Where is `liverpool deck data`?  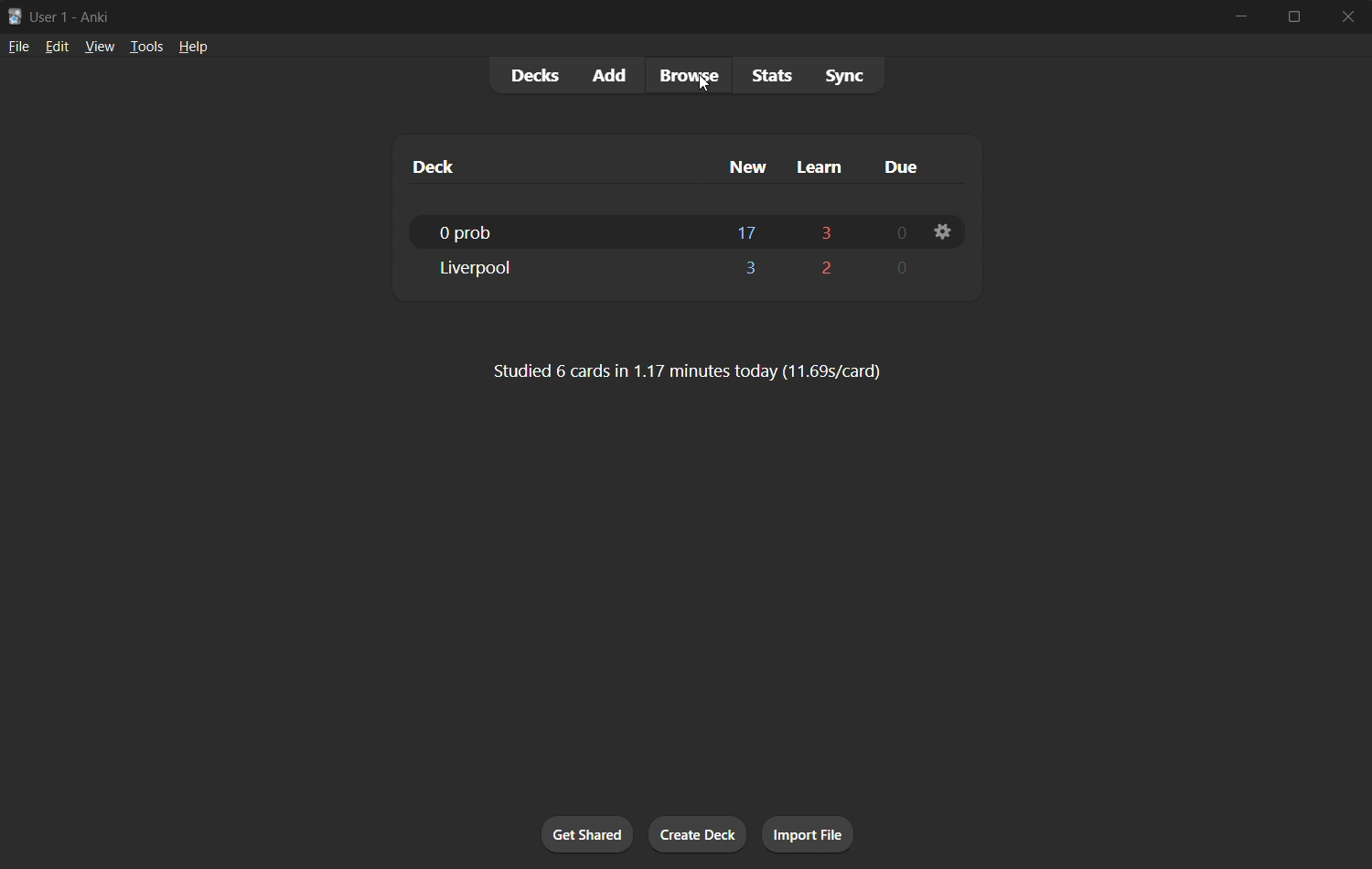
liverpool deck data is located at coordinates (561, 268).